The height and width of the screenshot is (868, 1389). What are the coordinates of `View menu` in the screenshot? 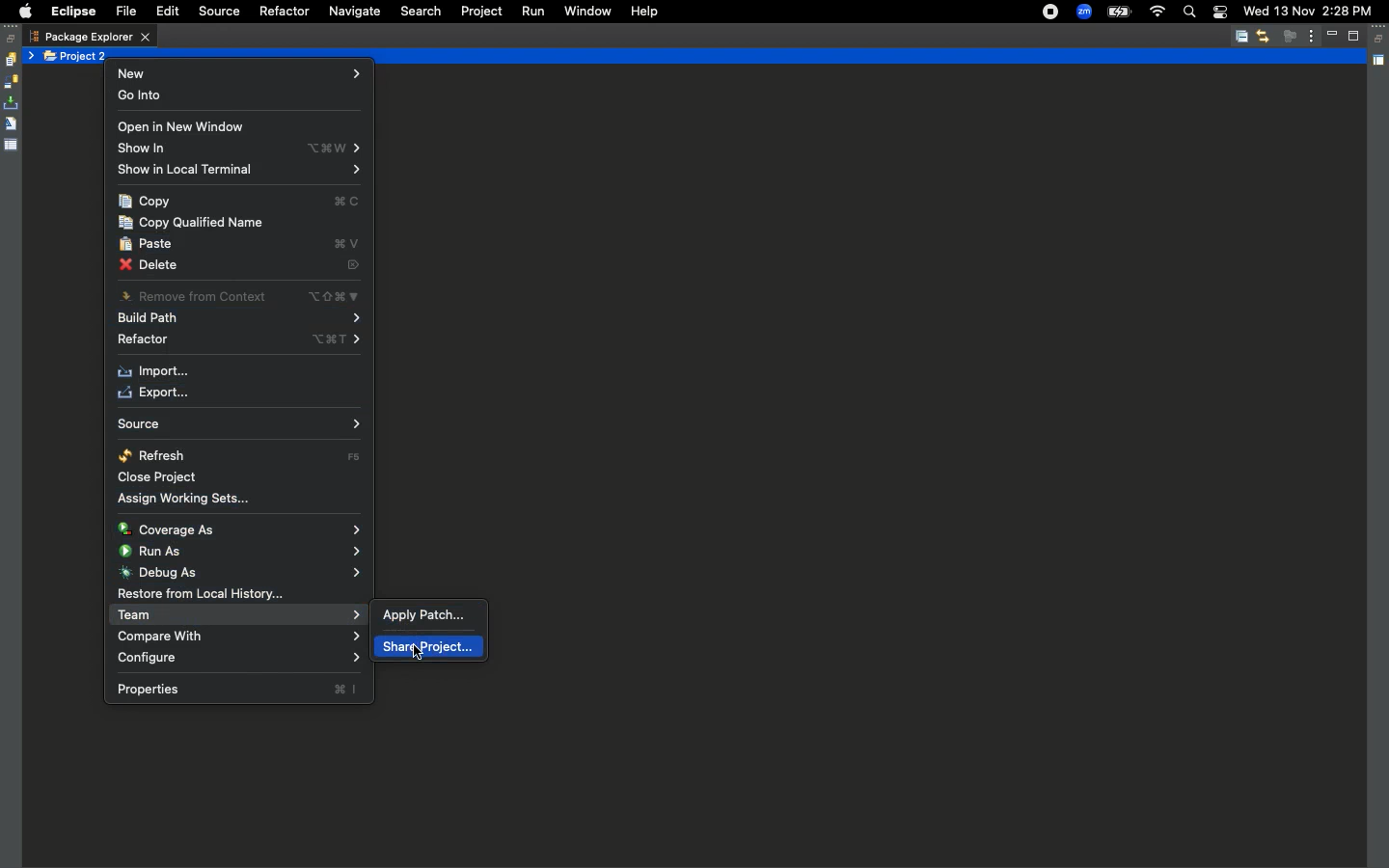 It's located at (1312, 35).